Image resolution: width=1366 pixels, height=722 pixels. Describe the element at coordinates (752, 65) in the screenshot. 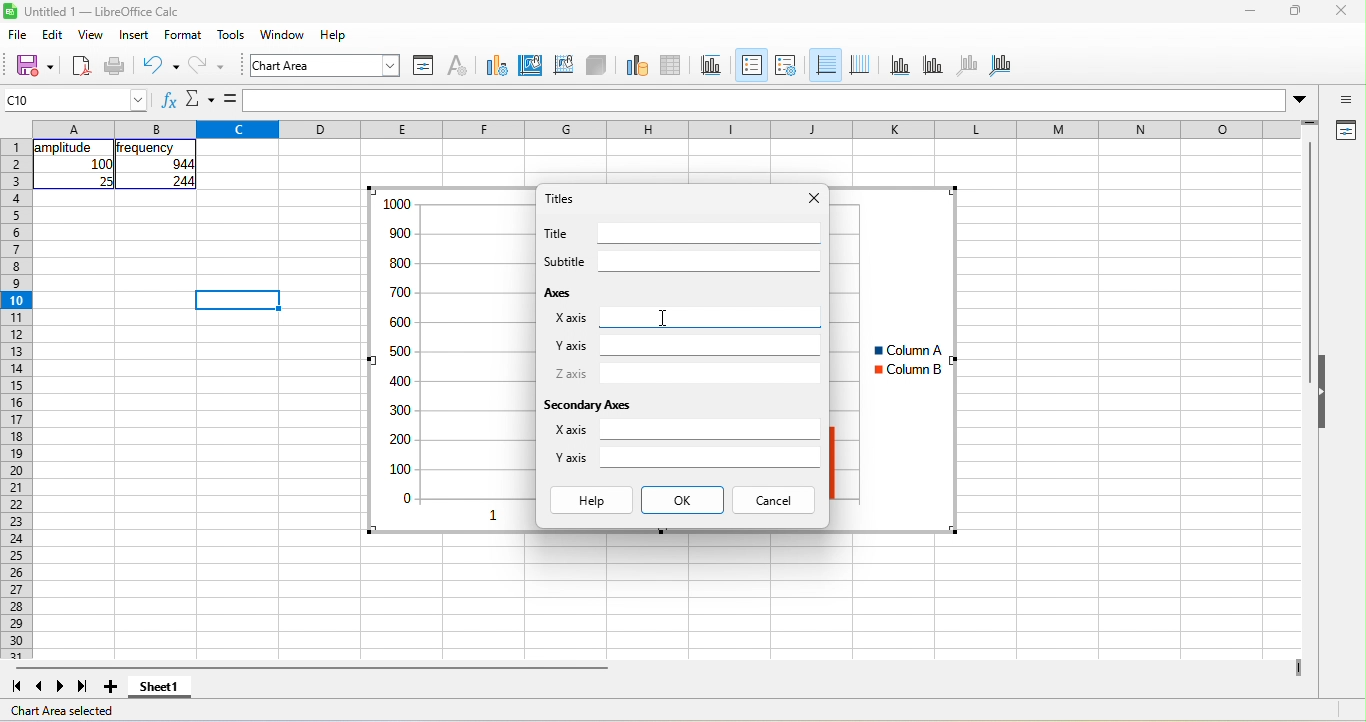

I see `legend on\off` at that location.